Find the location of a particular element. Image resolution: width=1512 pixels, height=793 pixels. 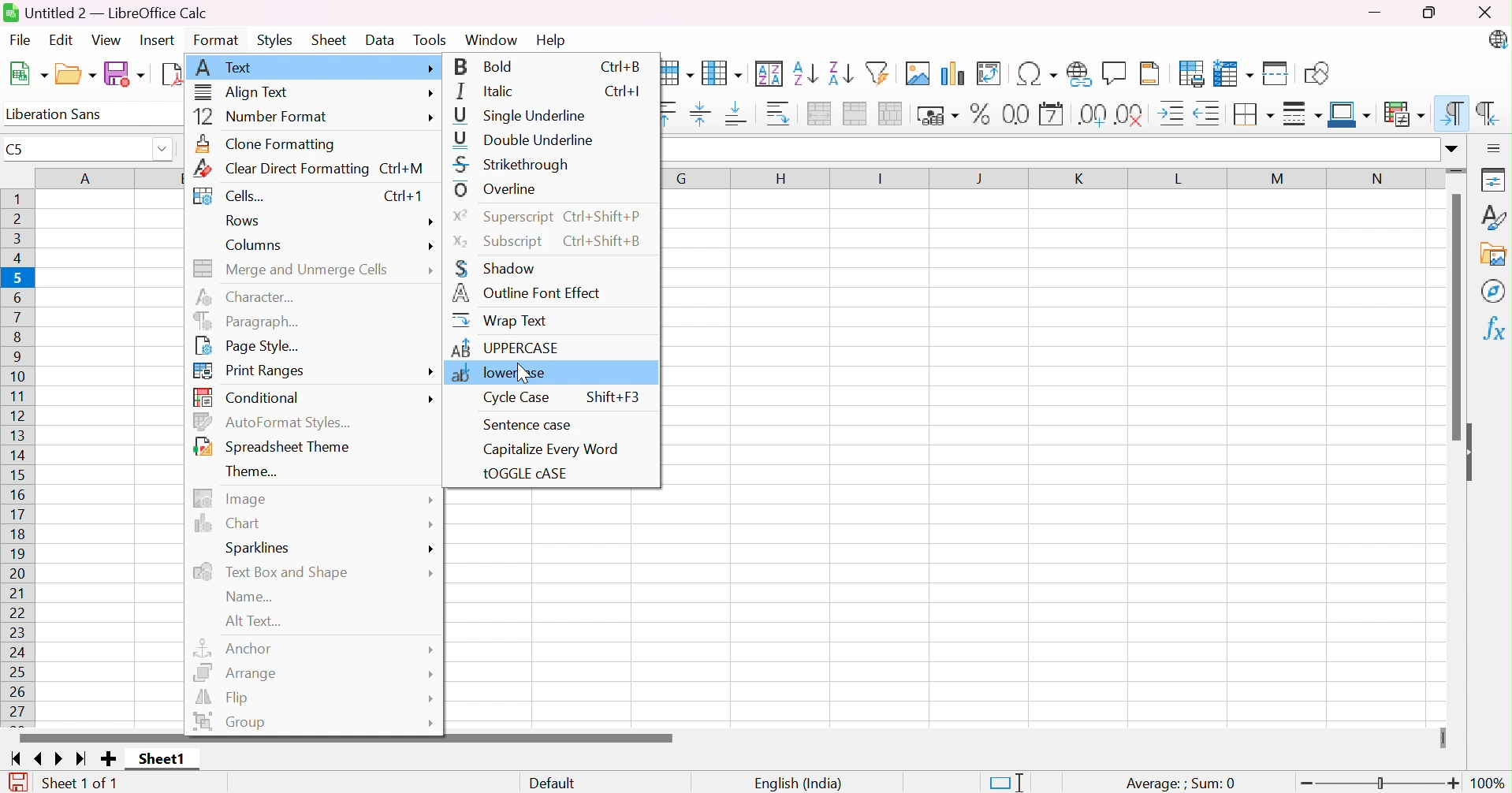

Row Numbers is located at coordinates (20, 456).